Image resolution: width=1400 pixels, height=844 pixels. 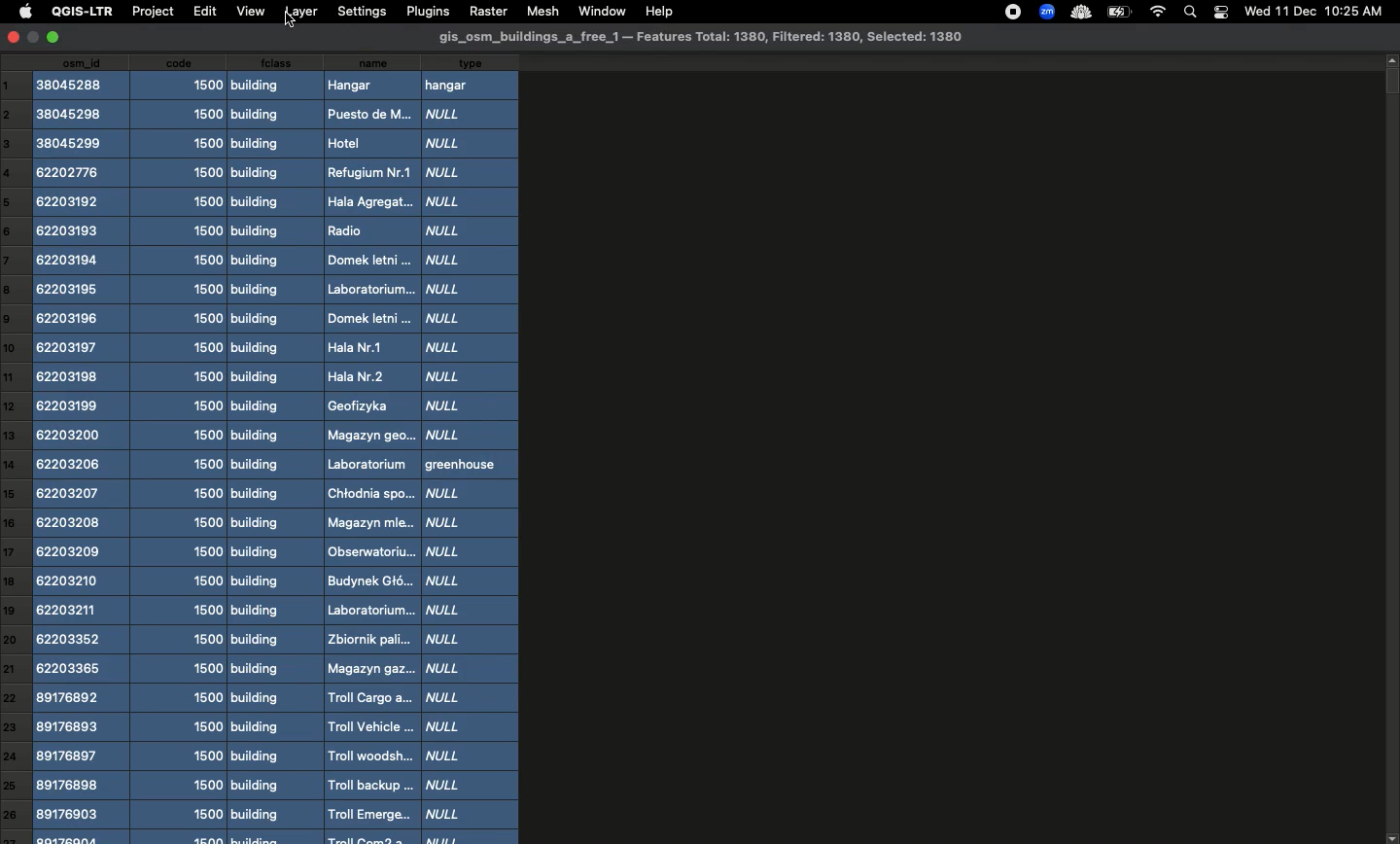 What do you see at coordinates (426, 11) in the screenshot?
I see `Plugins` at bounding box center [426, 11].